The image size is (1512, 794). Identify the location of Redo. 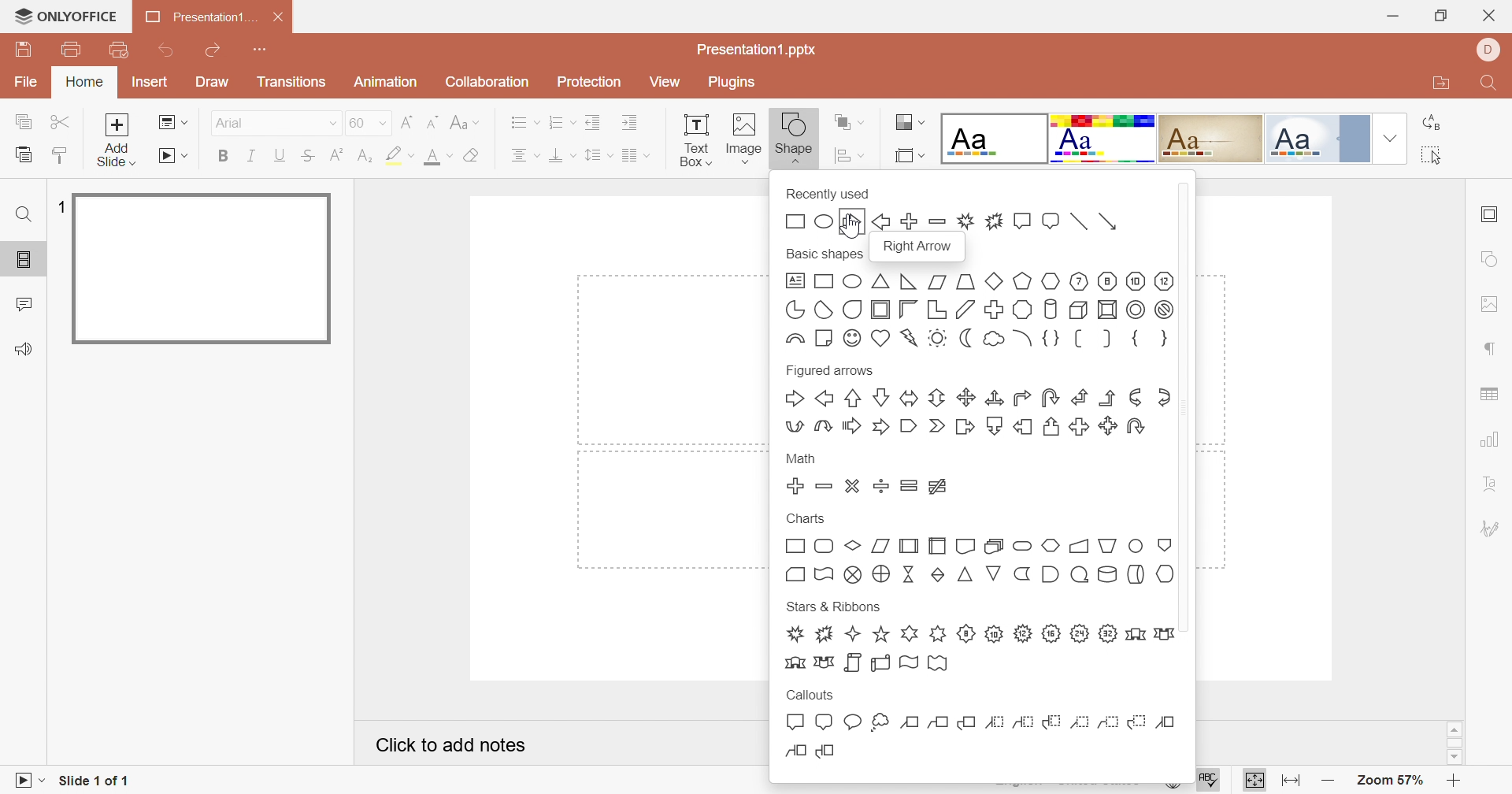
(211, 51).